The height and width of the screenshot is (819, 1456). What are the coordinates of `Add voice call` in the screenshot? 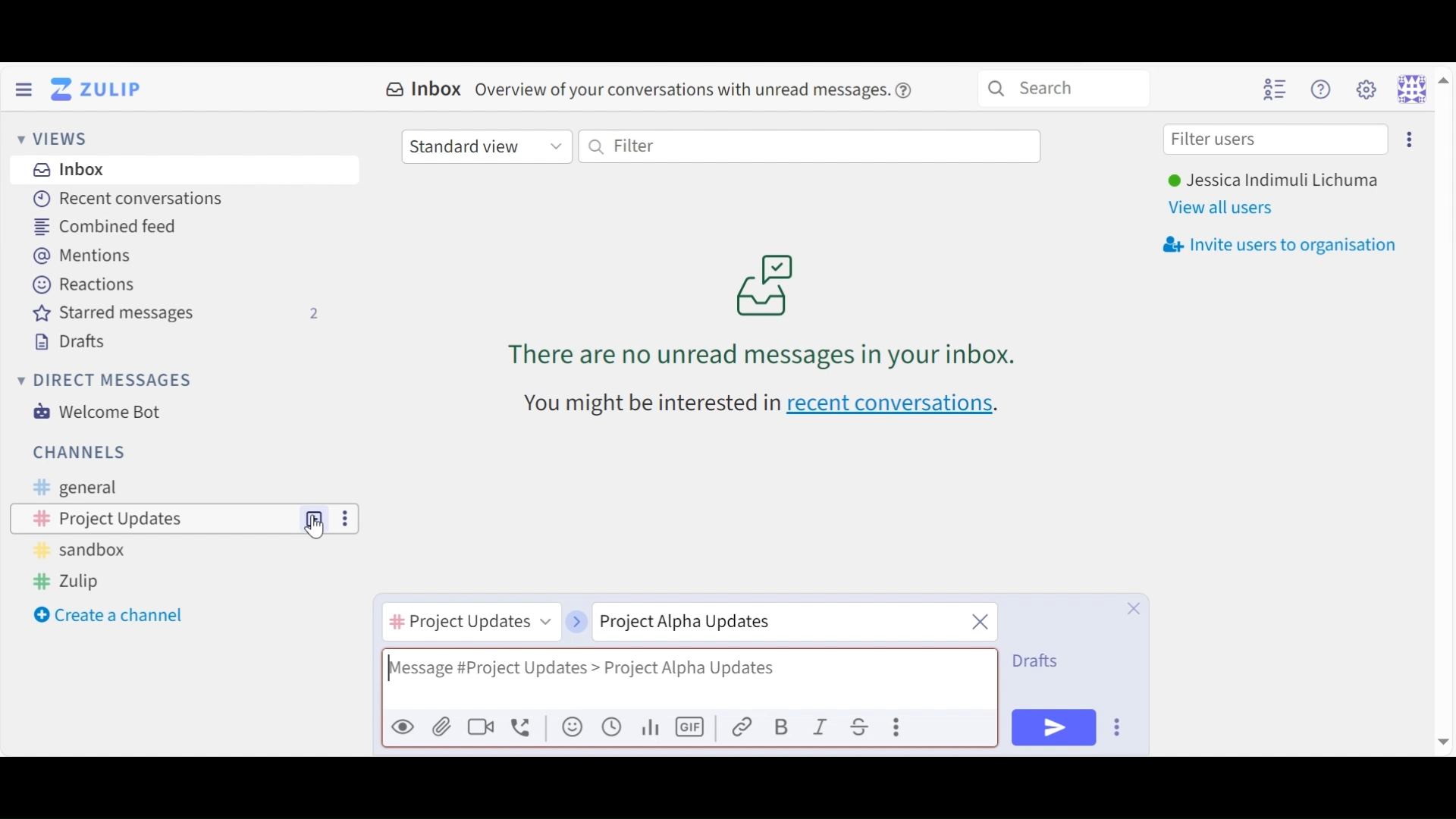 It's located at (522, 727).